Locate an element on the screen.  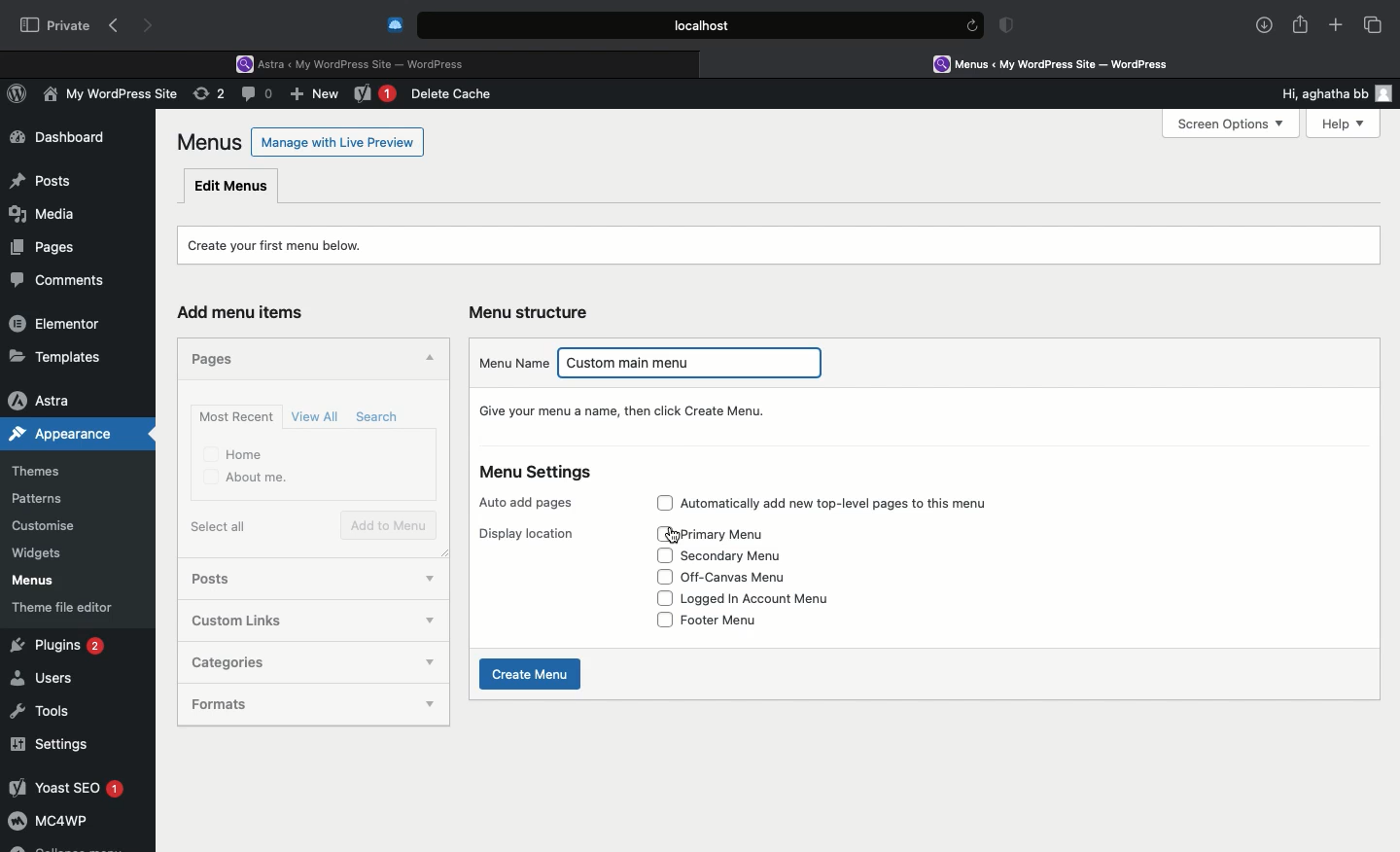
Check box is located at coordinates (662, 554).